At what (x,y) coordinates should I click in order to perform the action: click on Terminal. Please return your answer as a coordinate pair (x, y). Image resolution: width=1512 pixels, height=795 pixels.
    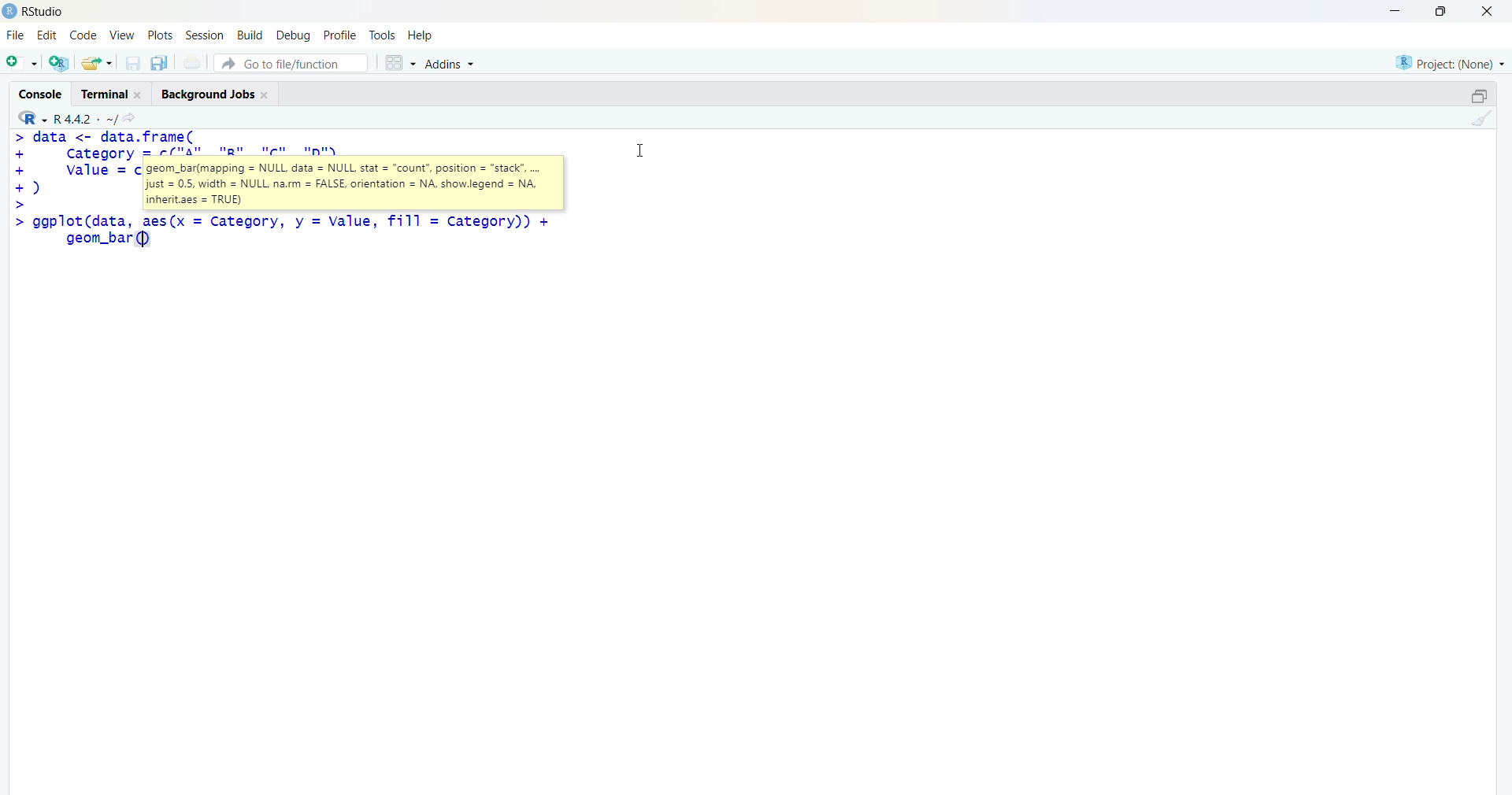
    Looking at the image, I should click on (109, 92).